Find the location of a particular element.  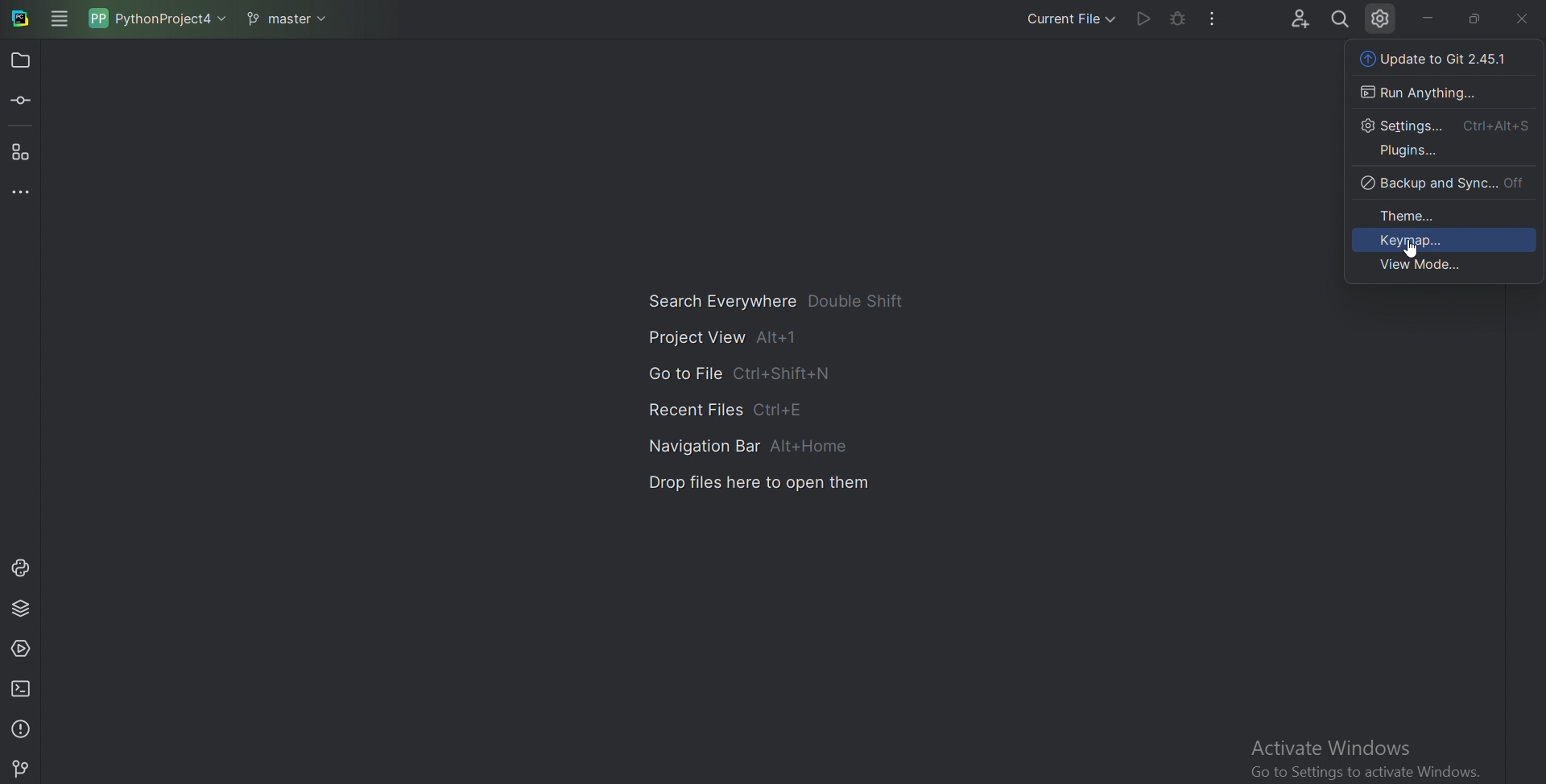

Problems is located at coordinates (21, 728).